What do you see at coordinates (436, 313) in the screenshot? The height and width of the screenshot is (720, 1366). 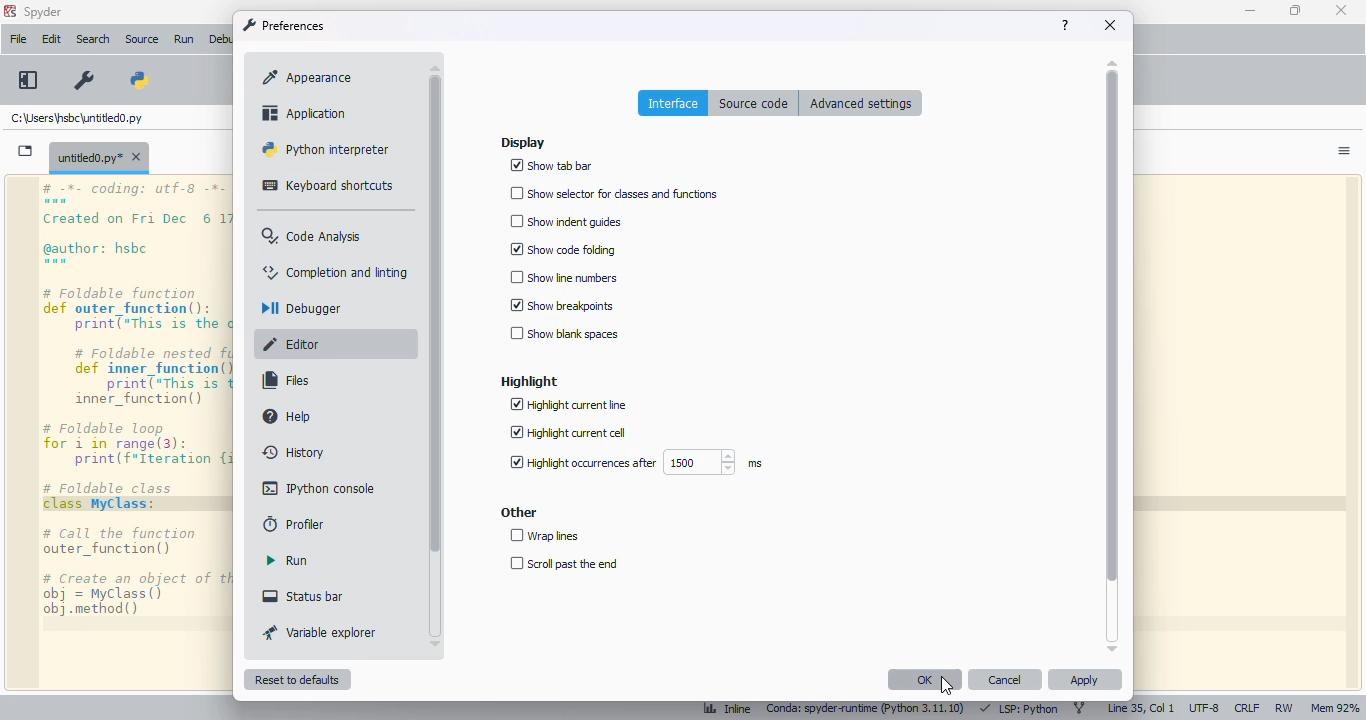 I see `vertical scroll bar` at bounding box center [436, 313].